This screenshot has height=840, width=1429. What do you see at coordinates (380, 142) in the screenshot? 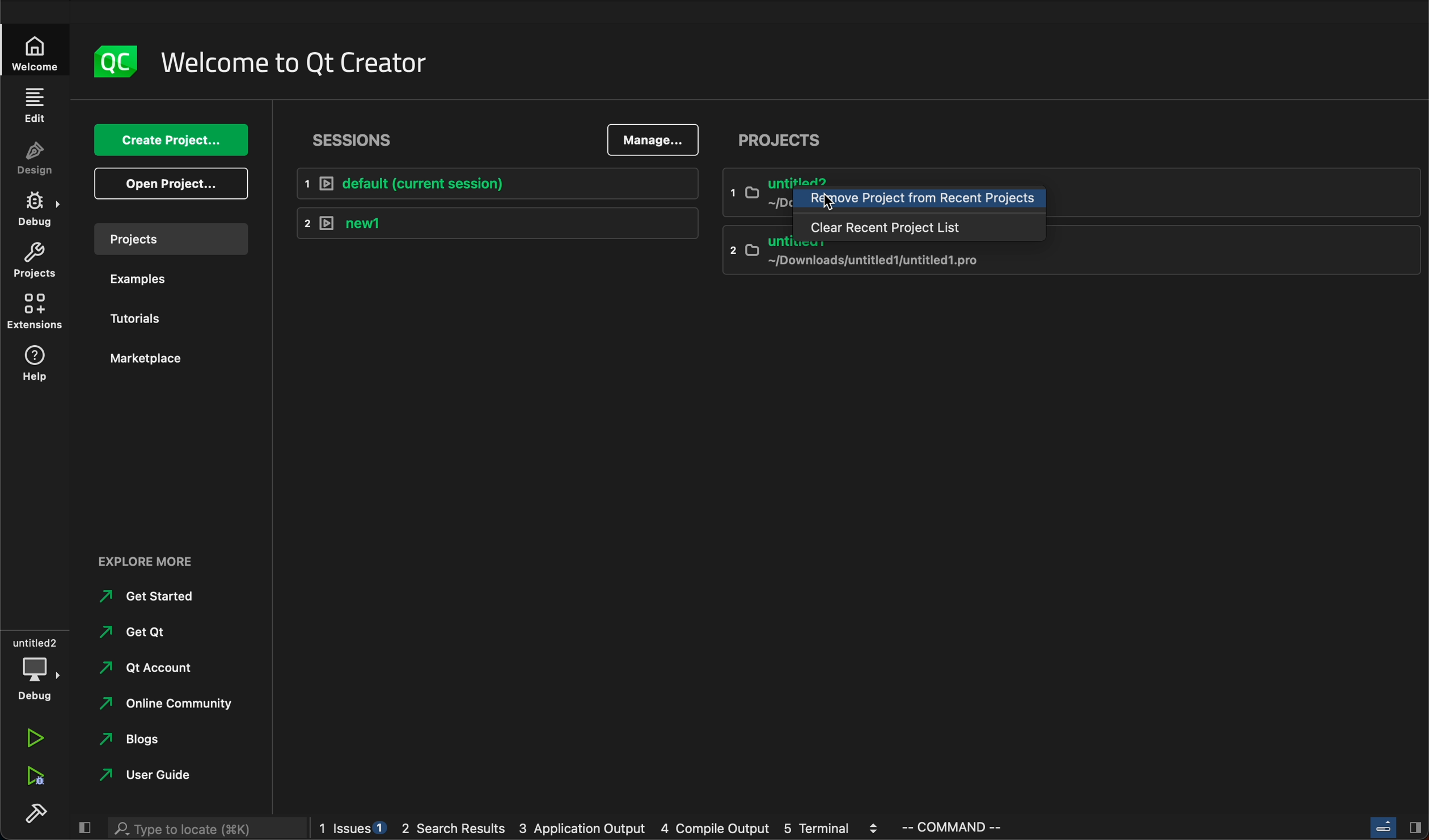
I see `sessions` at bounding box center [380, 142].